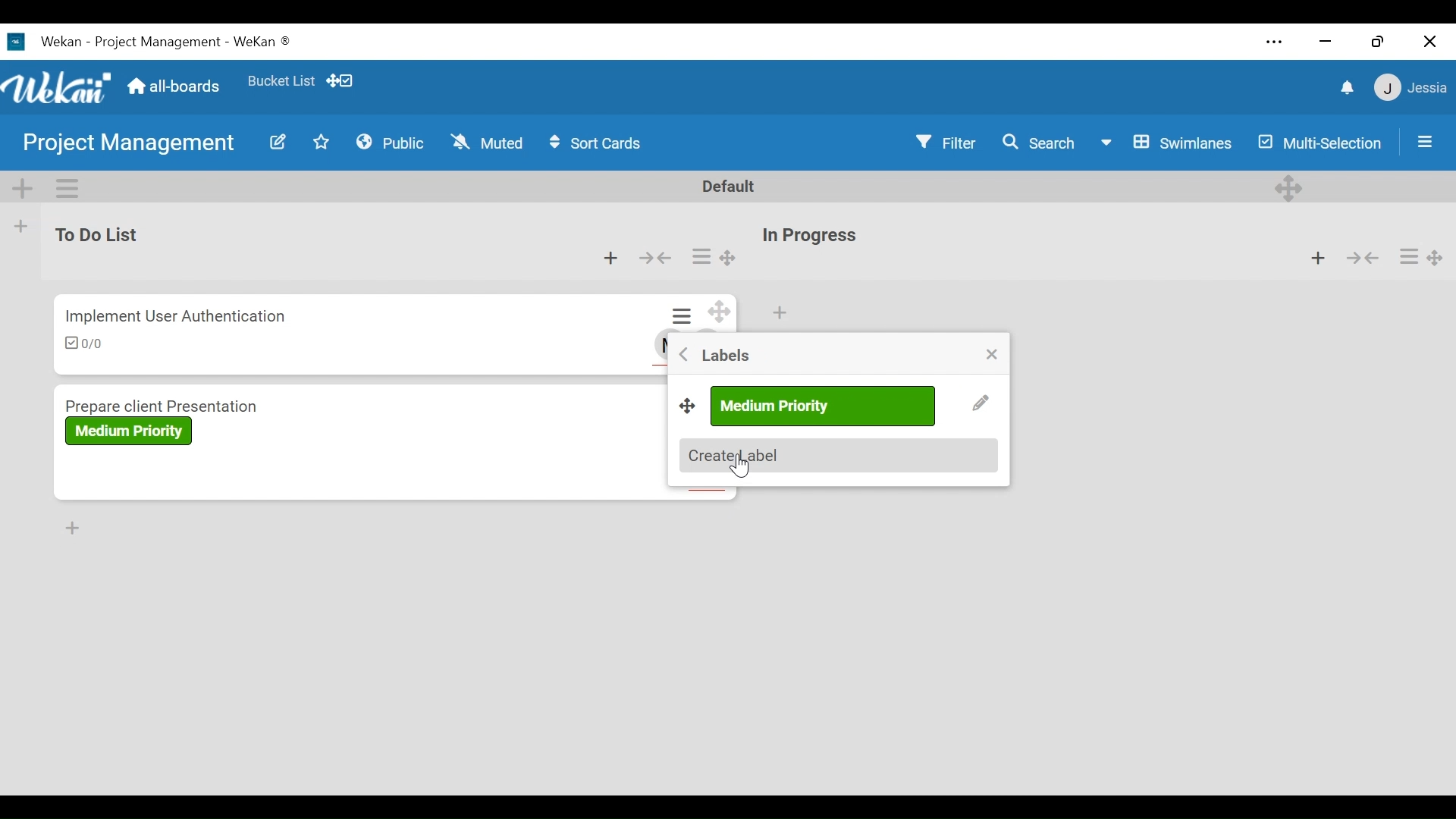  What do you see at coordinates (129, 431) in the screenshot?
I see `Label` at bounding box center [129, 431].